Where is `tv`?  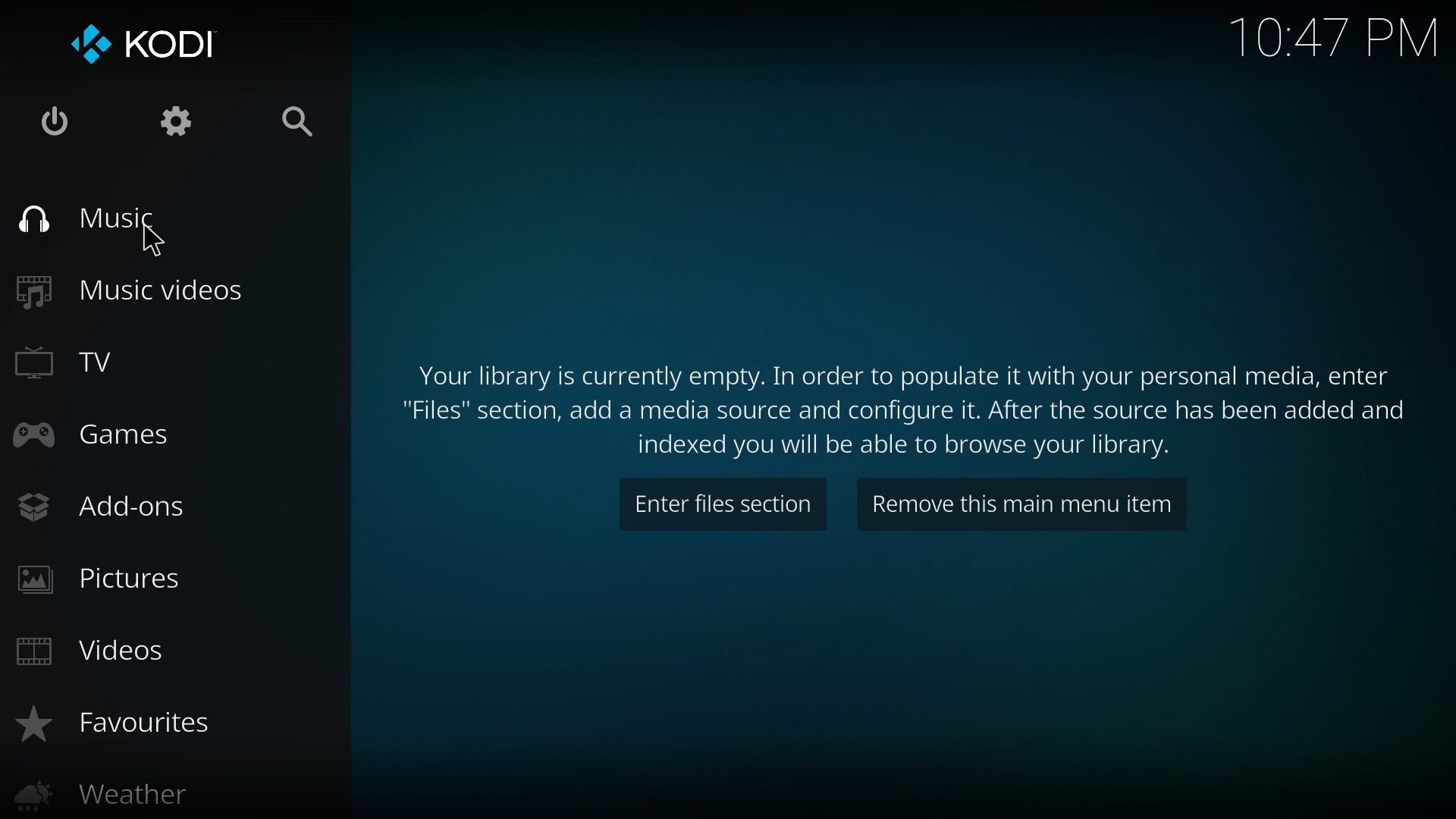 tv is located at coordinates (99, 359).